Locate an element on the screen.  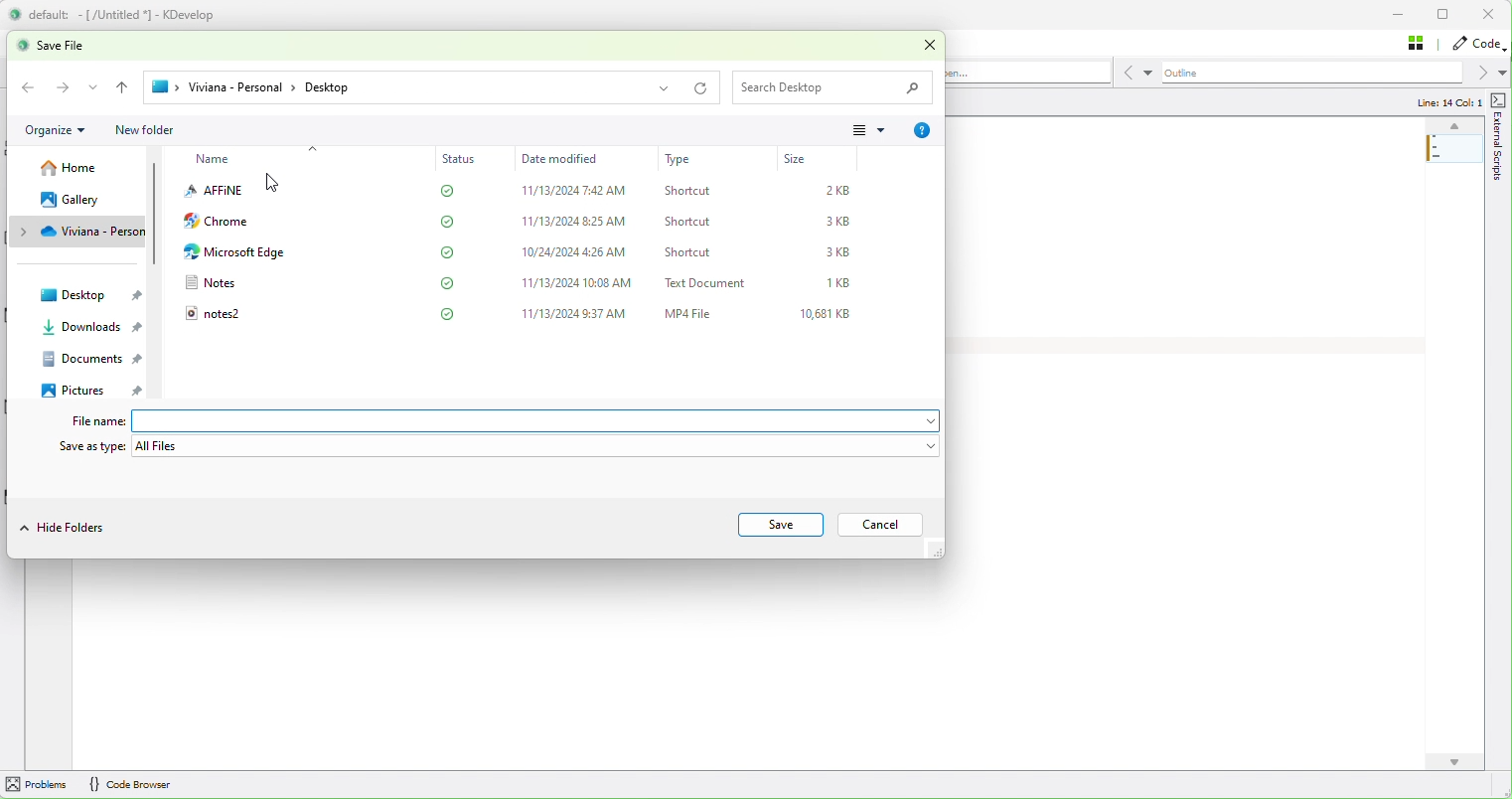
Cloud is located at coordinates (81, 230).